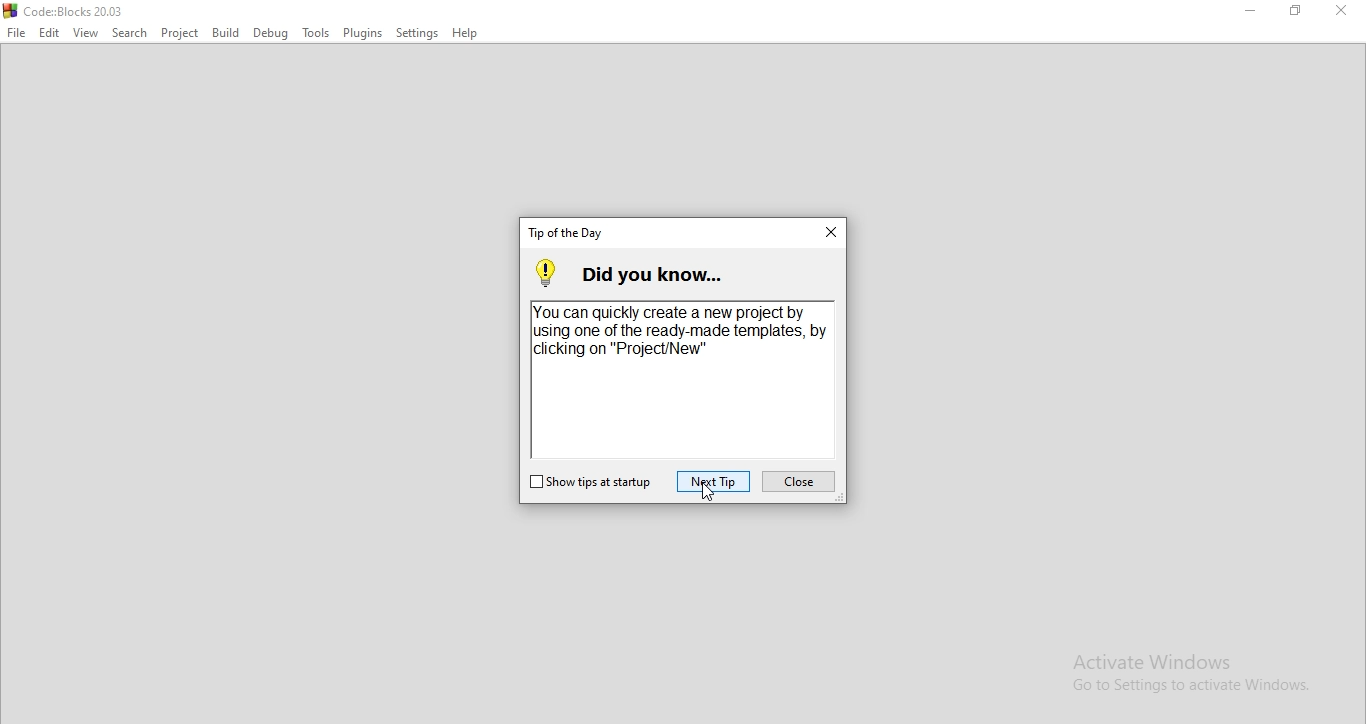 This screenshot has width=1366, height=724. What do you see at coordinates (178, 33) in the screenshot?
I see `Project ` at bounding box center [178, 33].